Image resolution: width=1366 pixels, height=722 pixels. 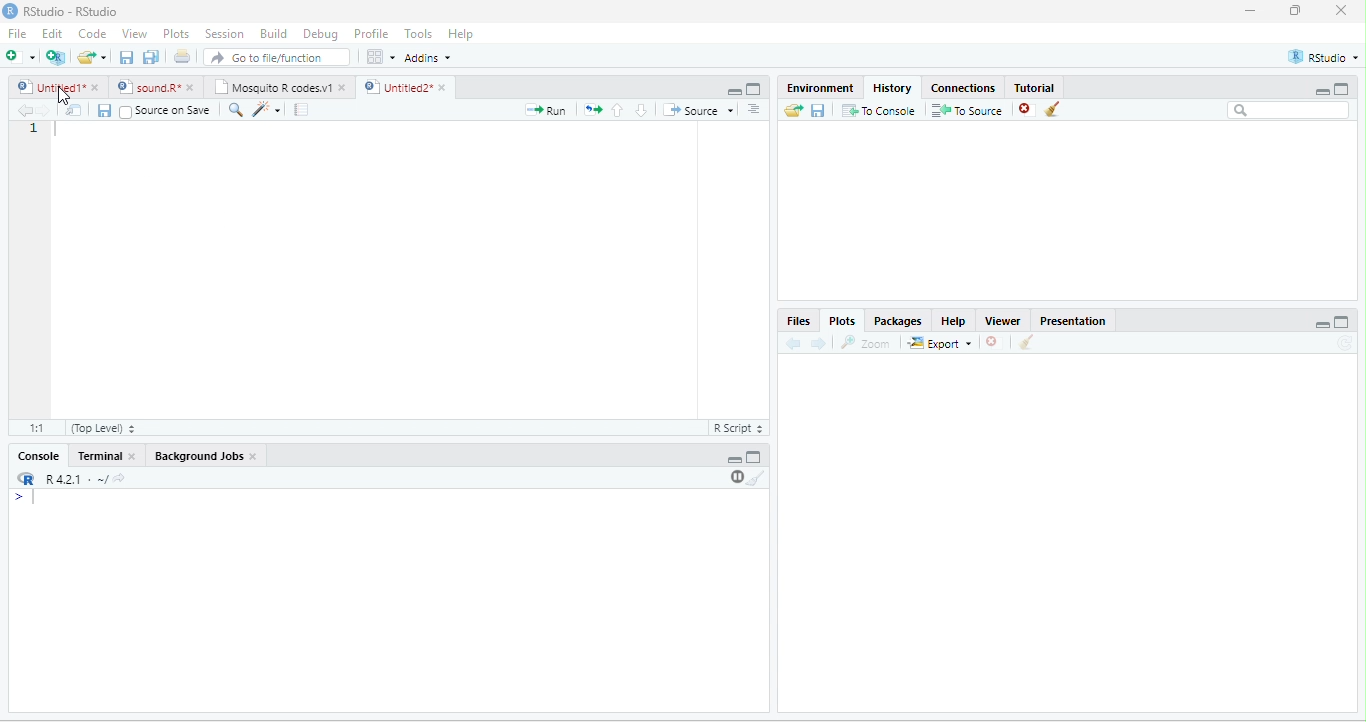 I want to click on Packages, so click(x=898, y=322).